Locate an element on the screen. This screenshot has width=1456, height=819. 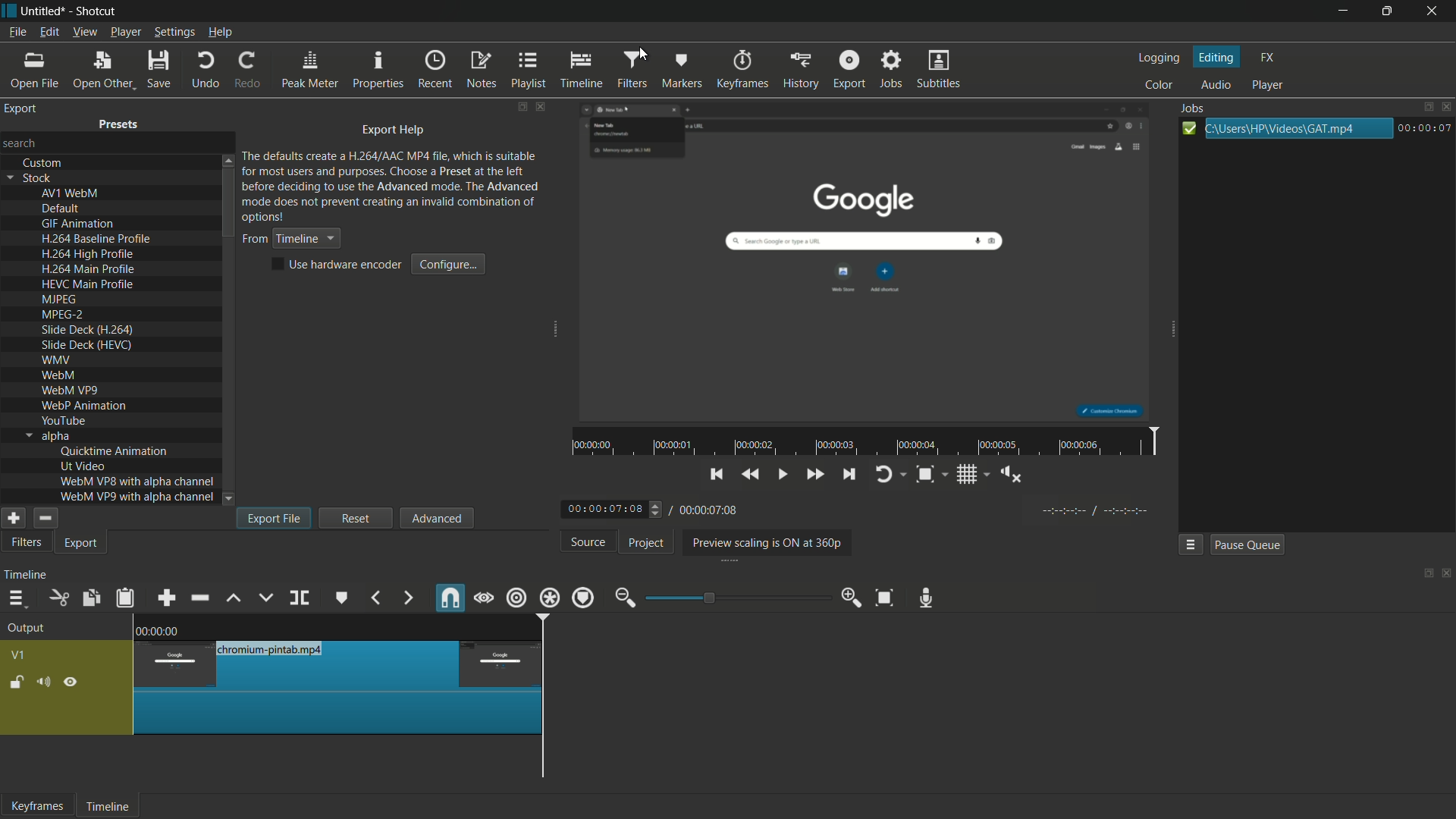
peak meter is located at coordinates (309, 71).